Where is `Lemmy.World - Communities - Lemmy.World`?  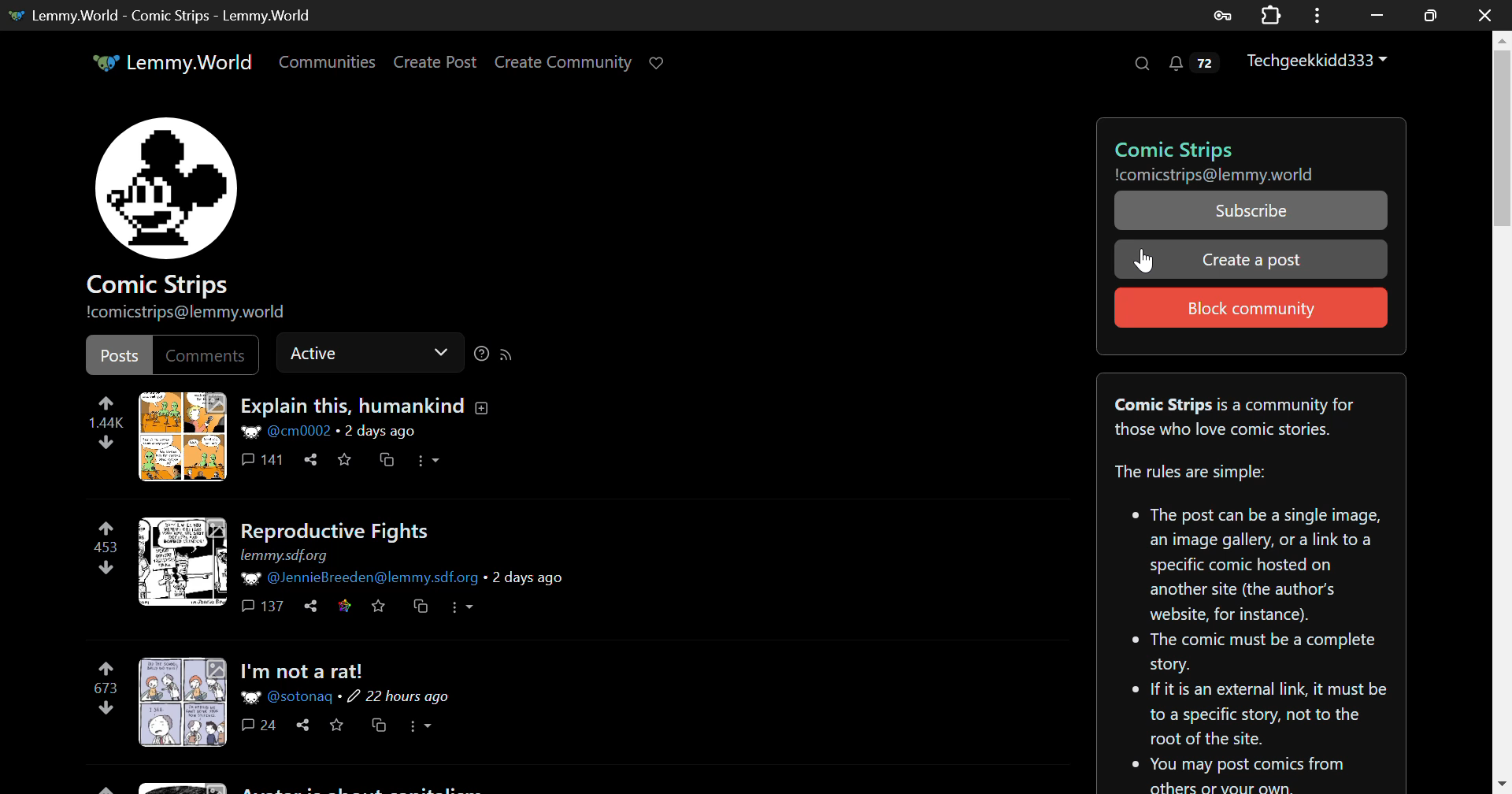
Lemmy.World - Communities - Lemmy.World is located at coordinates (164, 15).